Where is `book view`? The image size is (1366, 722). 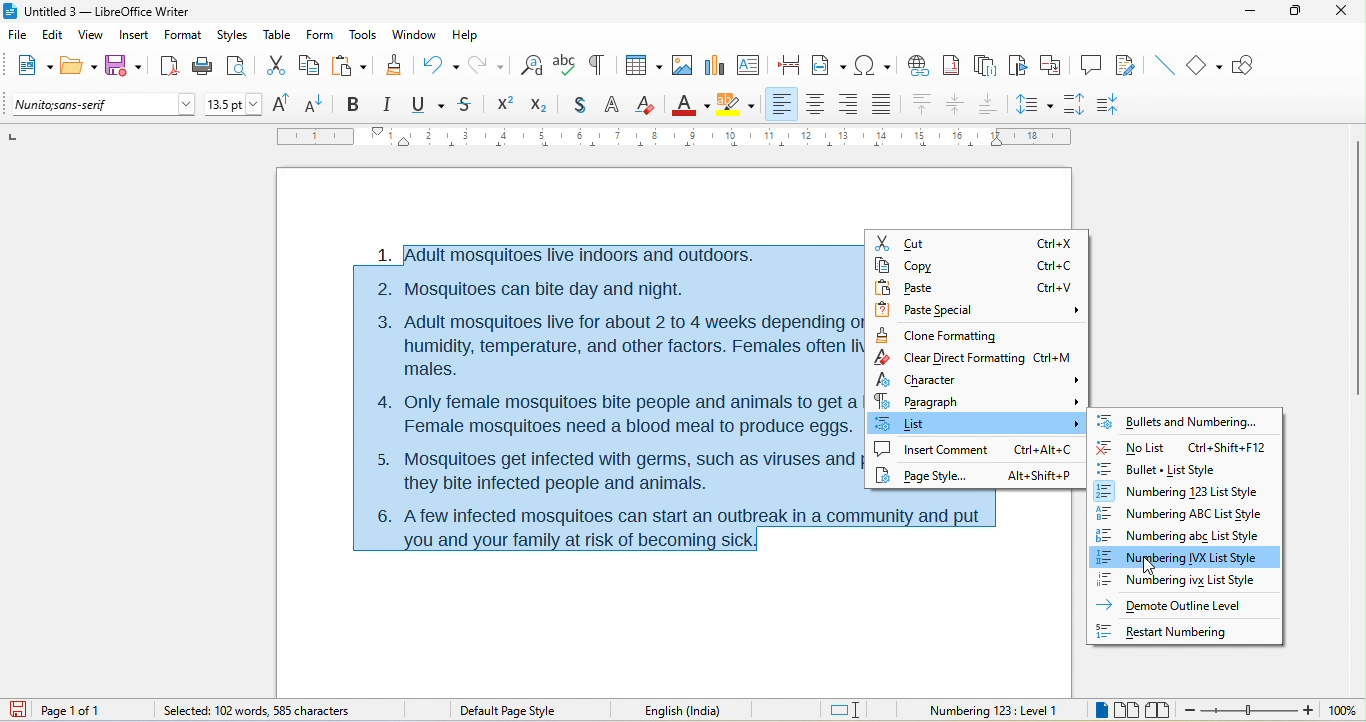 book view is located at coordinates (1157, 709).